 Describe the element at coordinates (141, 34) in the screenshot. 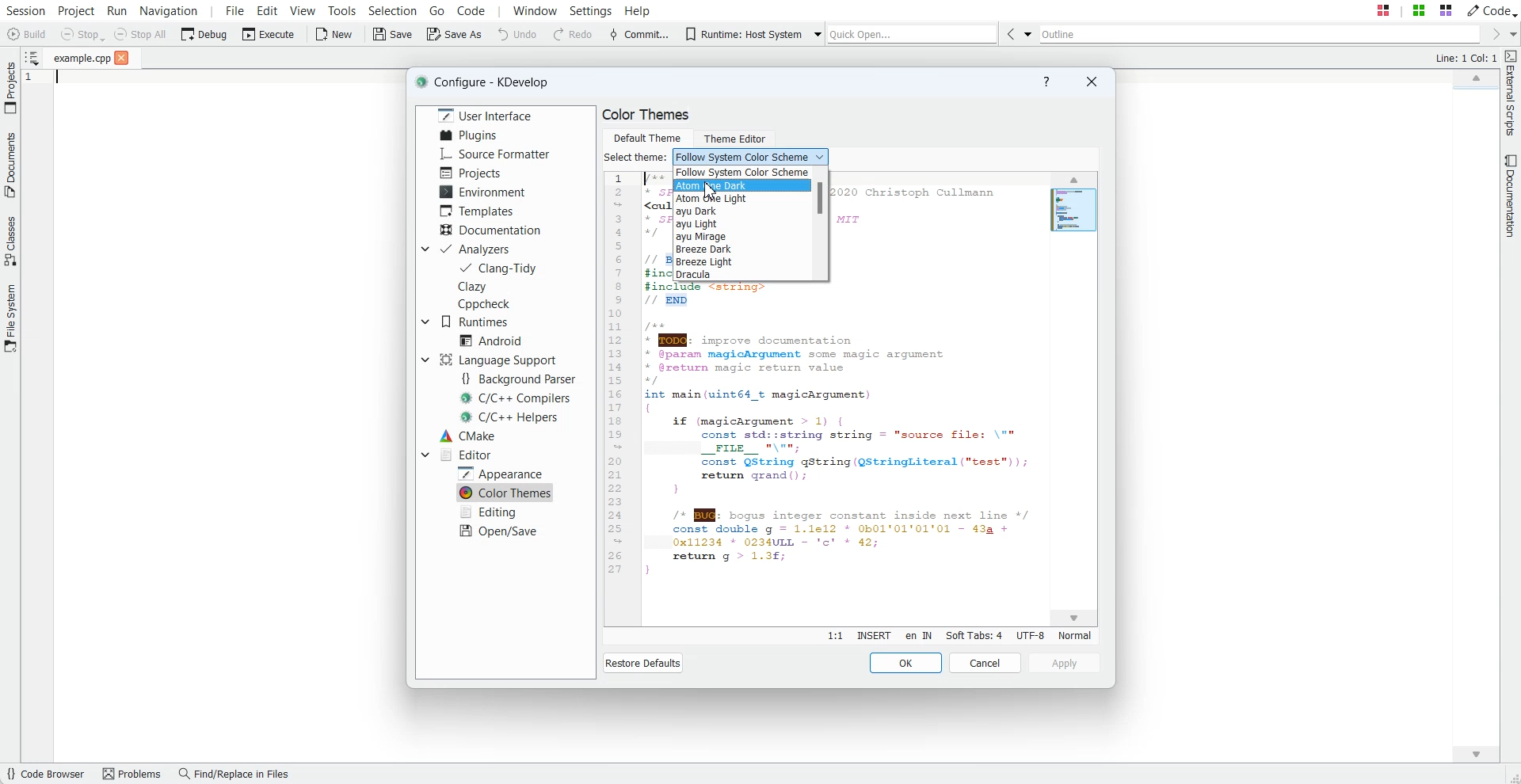

I see `Stop All` at that location.